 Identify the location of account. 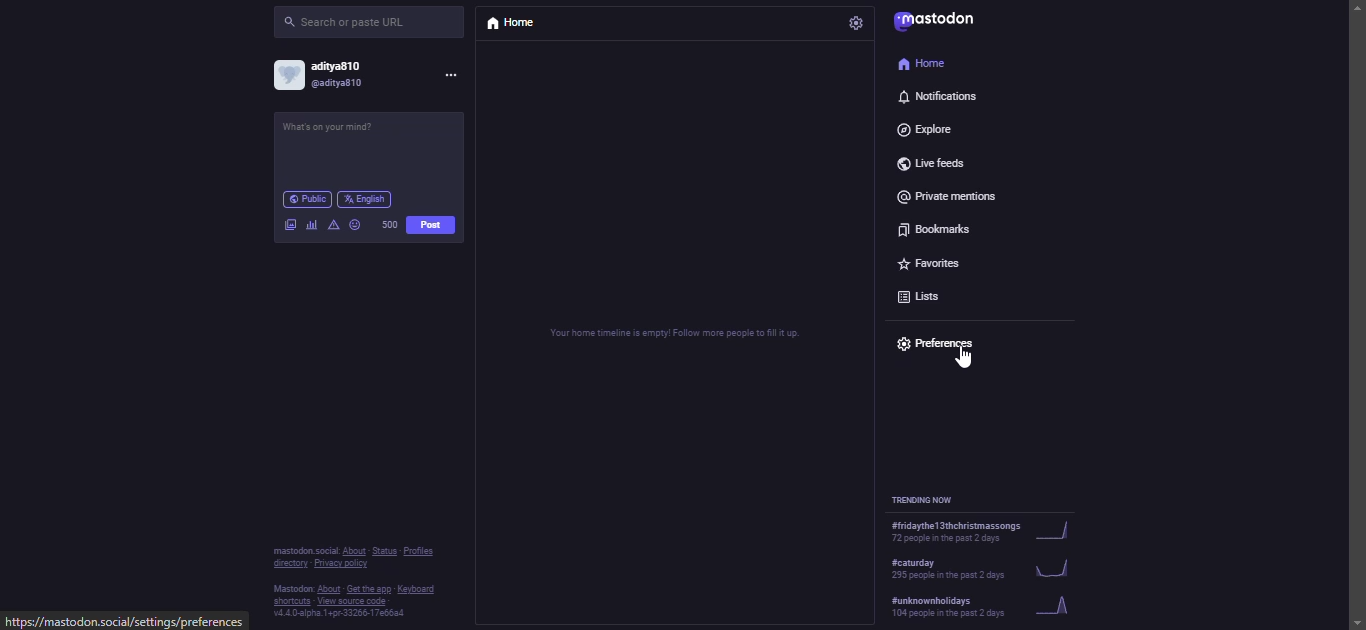
(331, 74).